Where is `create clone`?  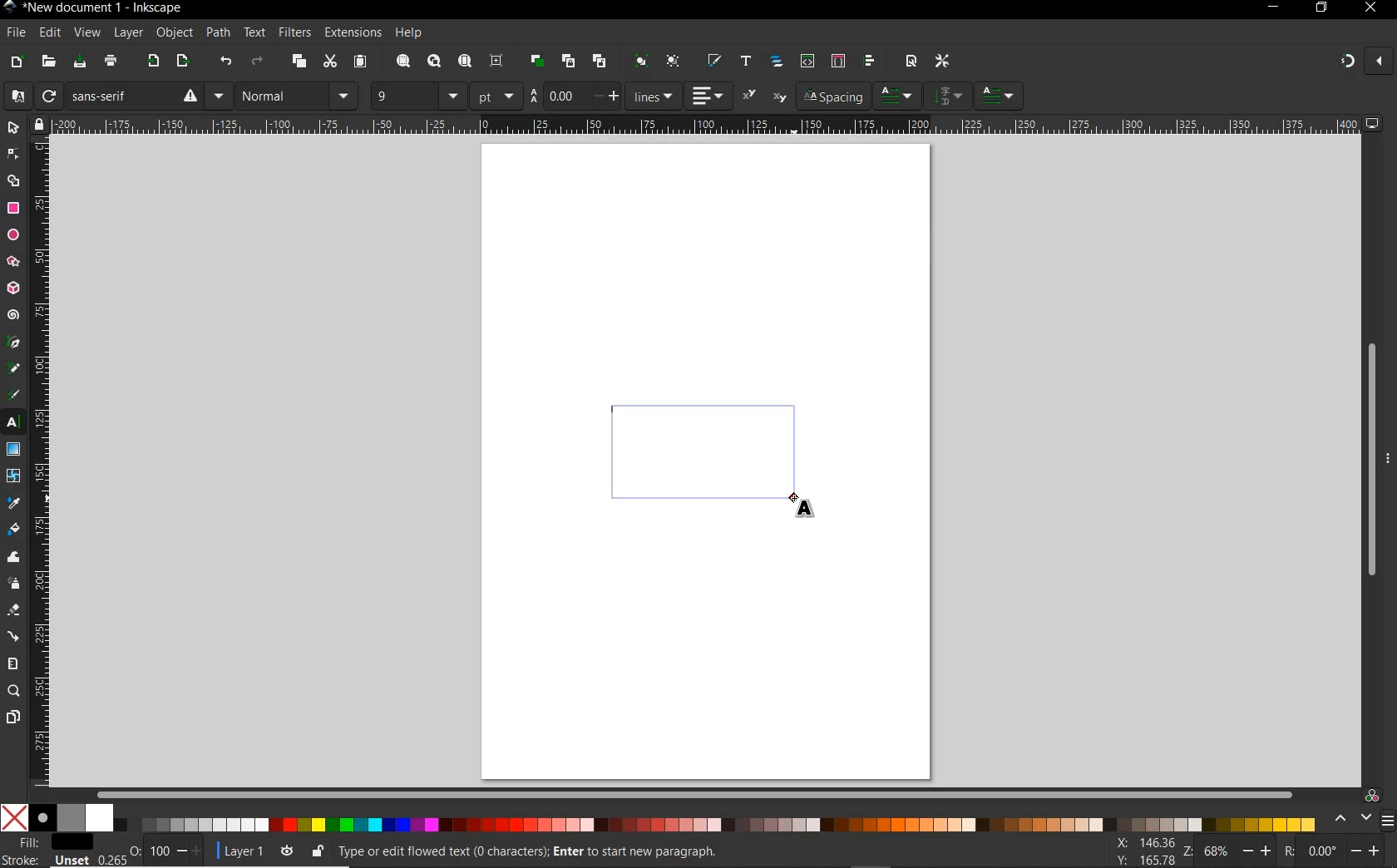
create clone is located at coordinates (566, 62).